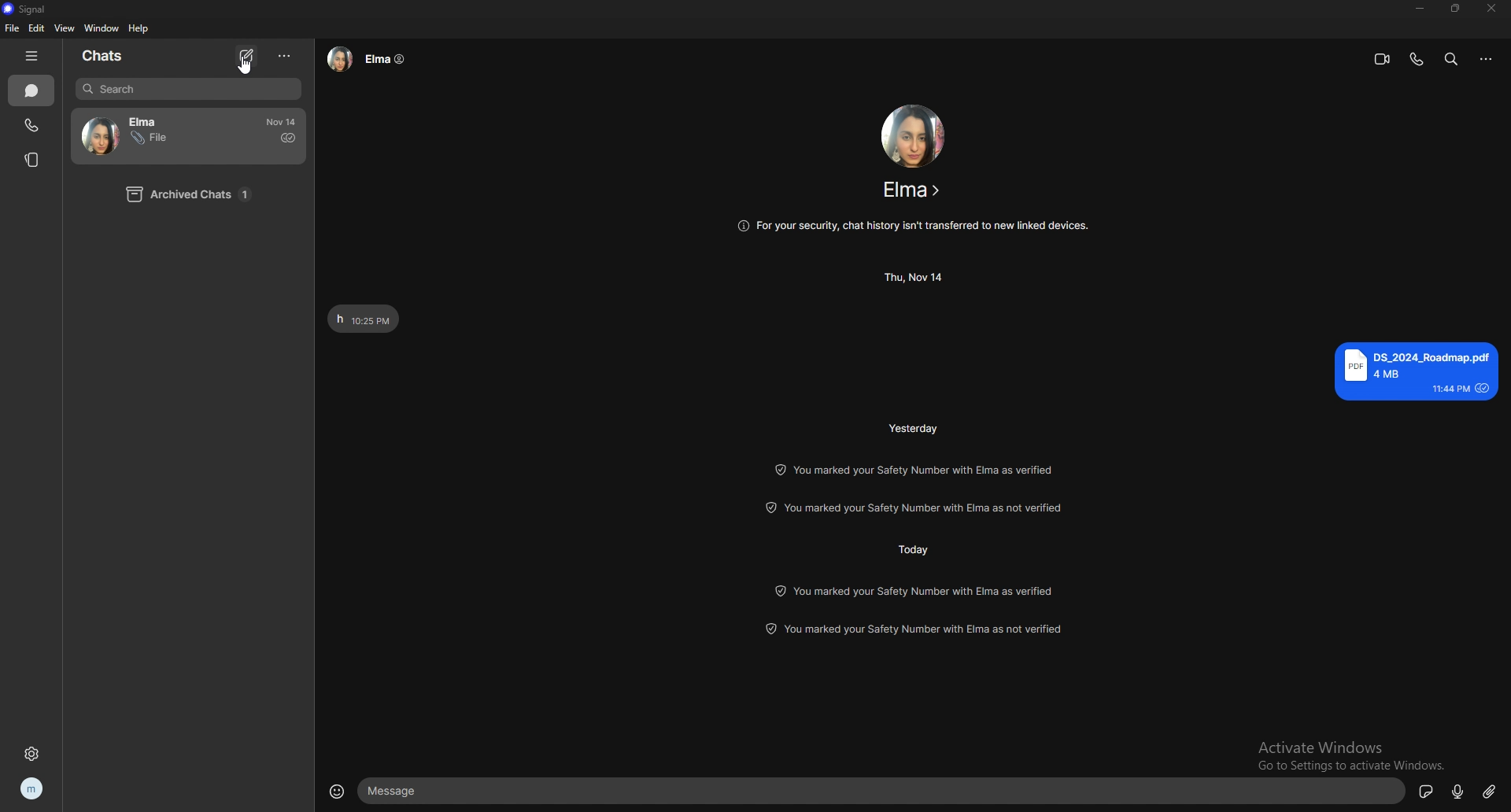 This screenshot has width=1511, height=812. Describe the element at coordinates (160, 135) in the screenshot. I see `chat` at that location.